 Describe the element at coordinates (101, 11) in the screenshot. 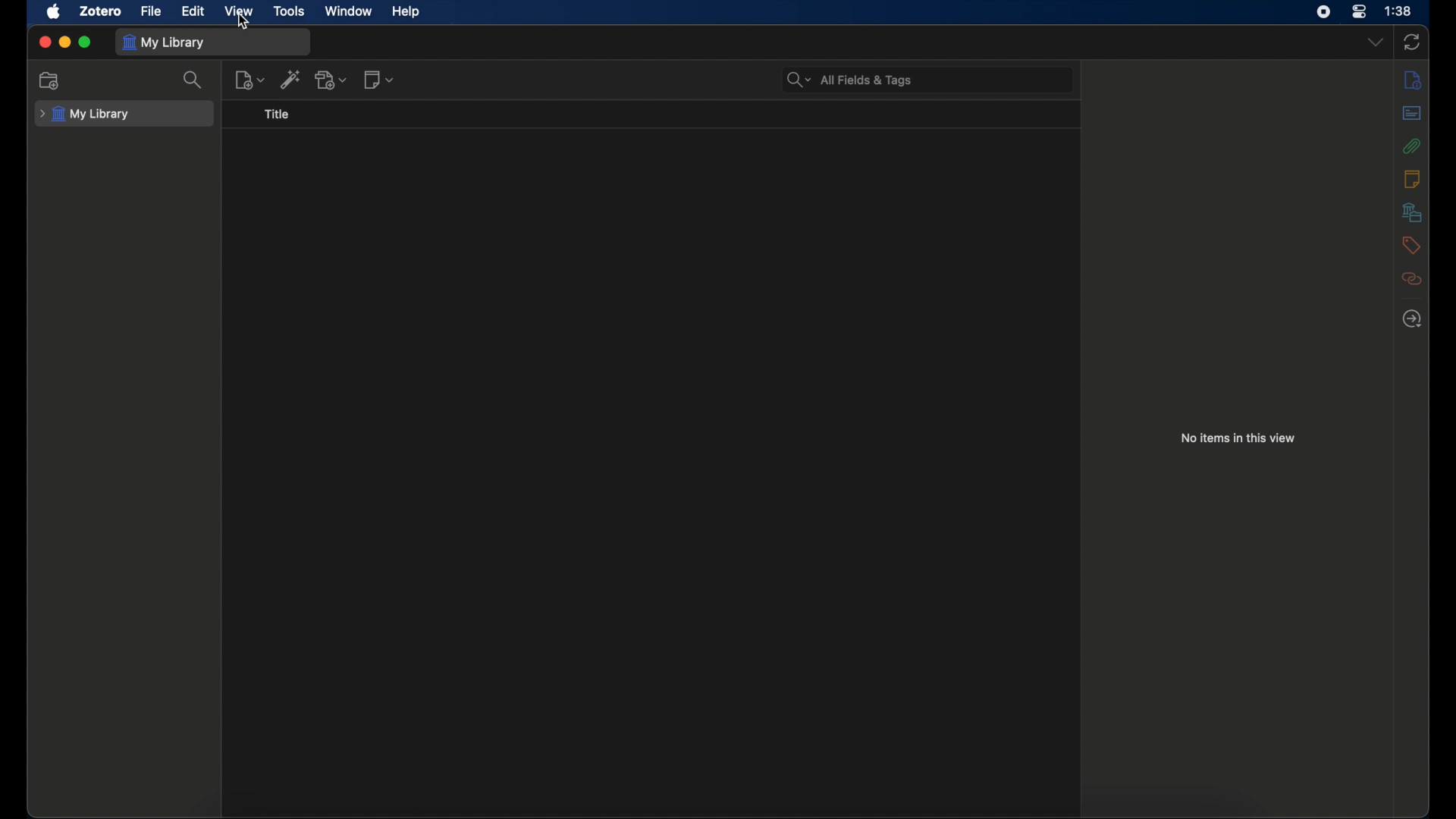

I see `zotero` at that location.